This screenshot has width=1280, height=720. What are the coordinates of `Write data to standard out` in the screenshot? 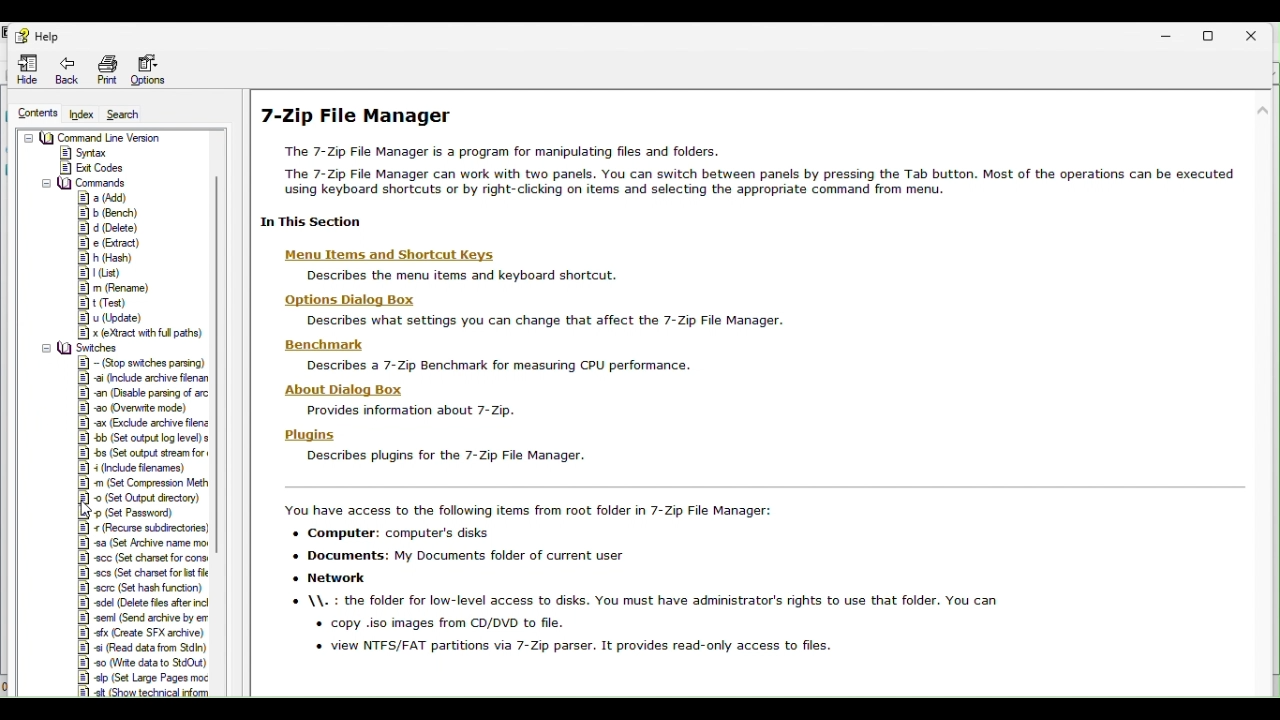 It's located at (140, 663).